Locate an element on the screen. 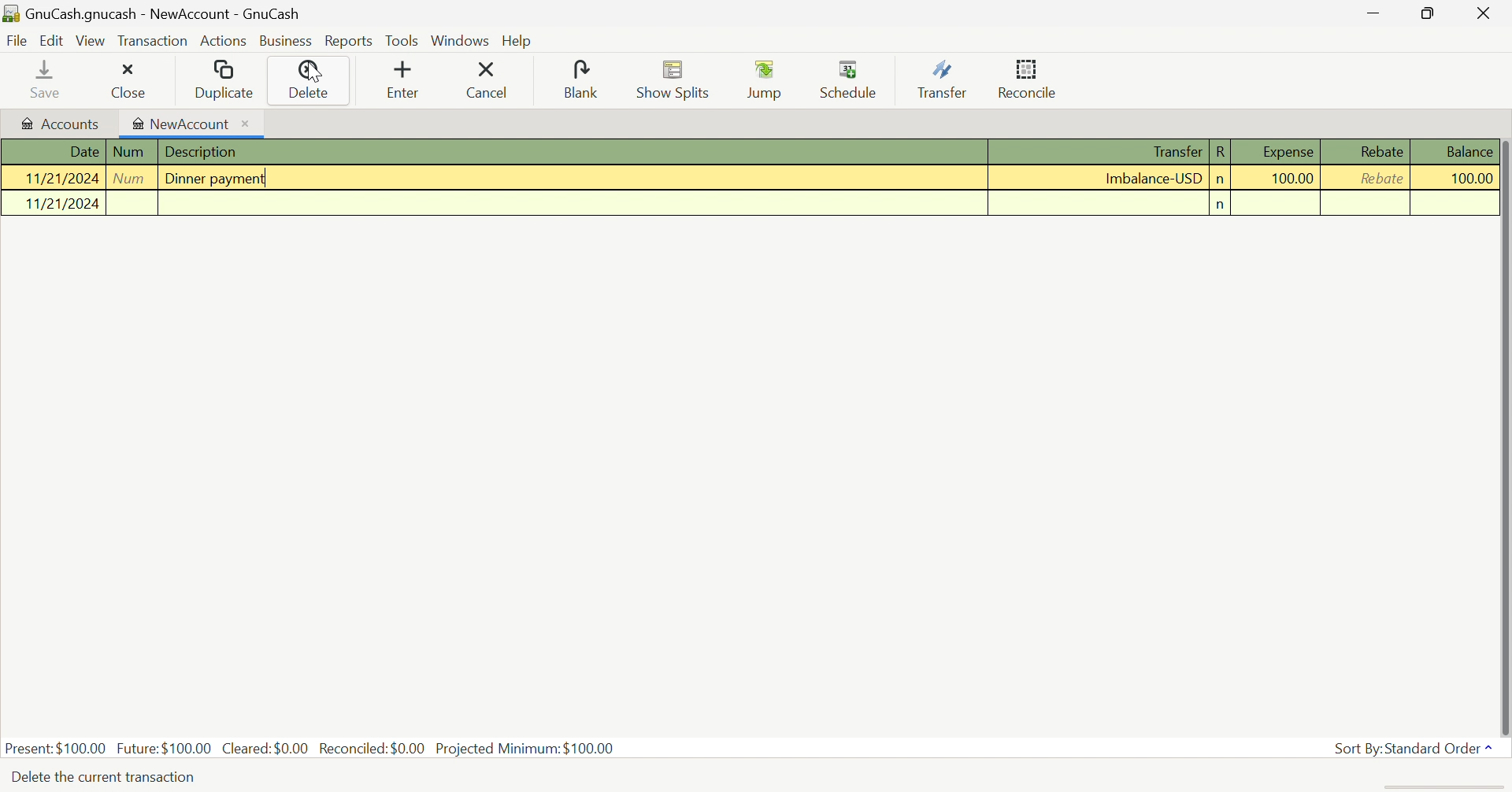 The width and height of the screenshot is (1512, 792). R is located at coordinates (1222, 152).